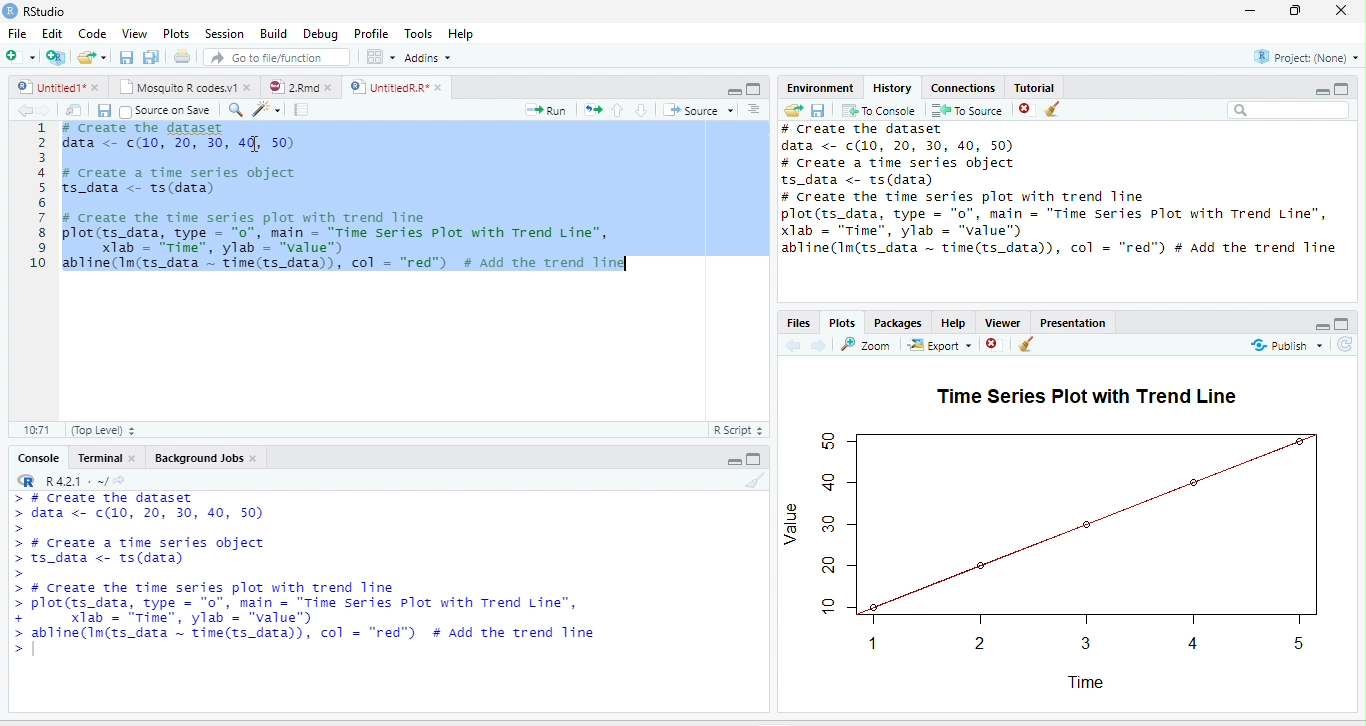  What do you see at coordinates (698, 110) in the screenshot?
I see `Source` at bounding box center [698, 110].